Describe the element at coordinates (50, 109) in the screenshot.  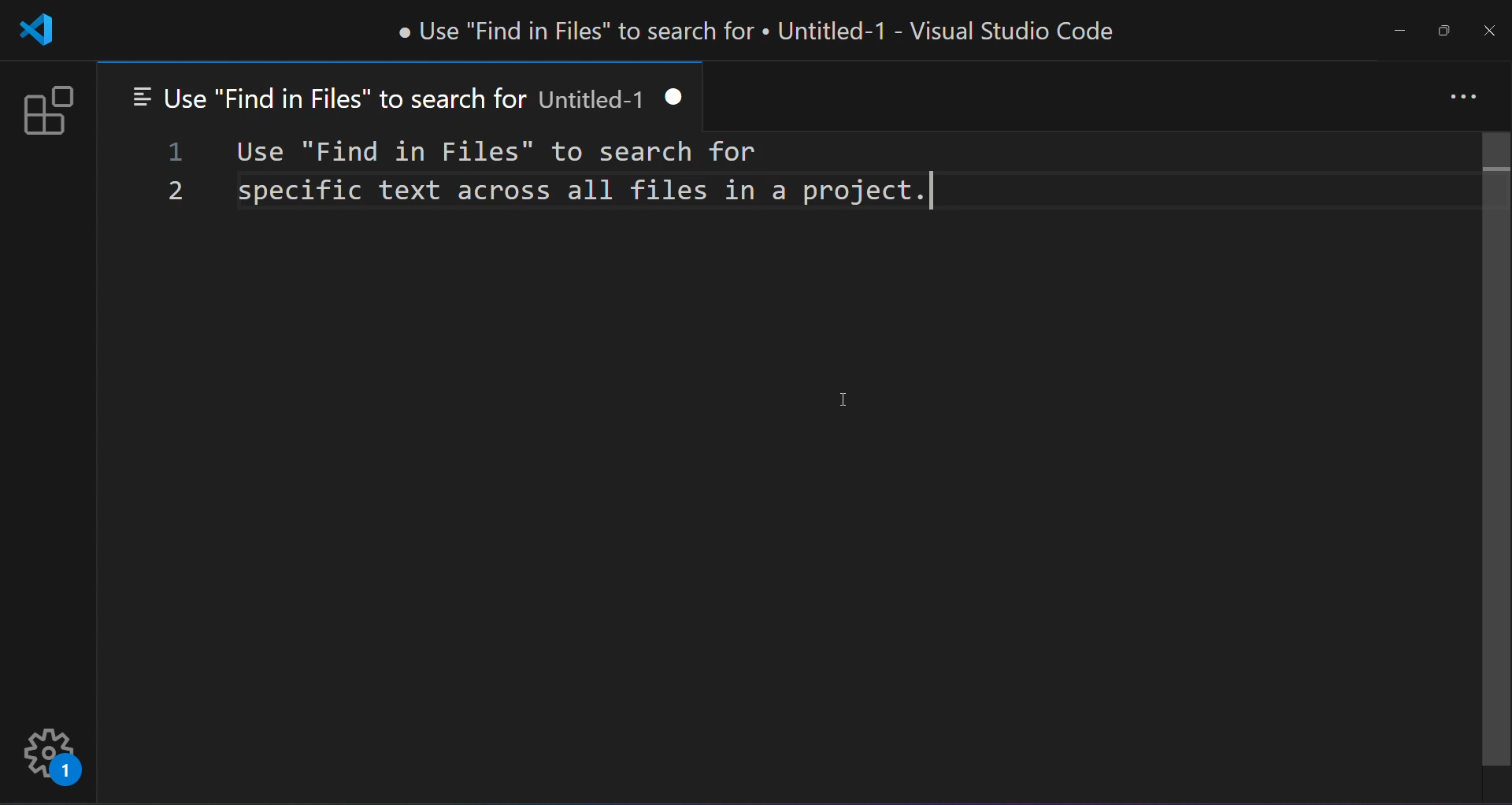
I see `extension` at that location.